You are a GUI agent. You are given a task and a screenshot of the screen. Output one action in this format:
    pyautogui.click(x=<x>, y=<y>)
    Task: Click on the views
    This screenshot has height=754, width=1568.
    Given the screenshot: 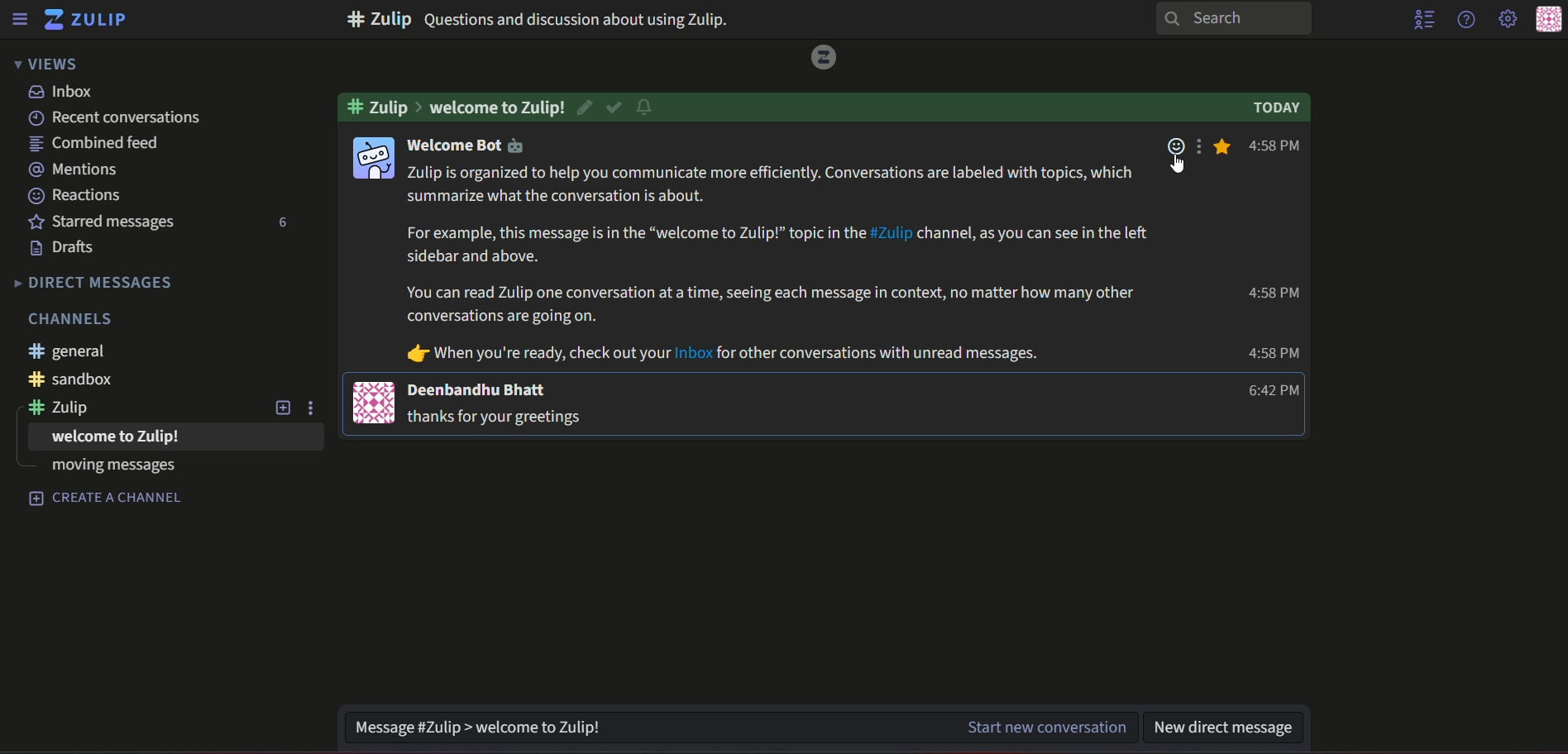 What is the action you would take?
    pyautogui.click(x=50, y=64)
    